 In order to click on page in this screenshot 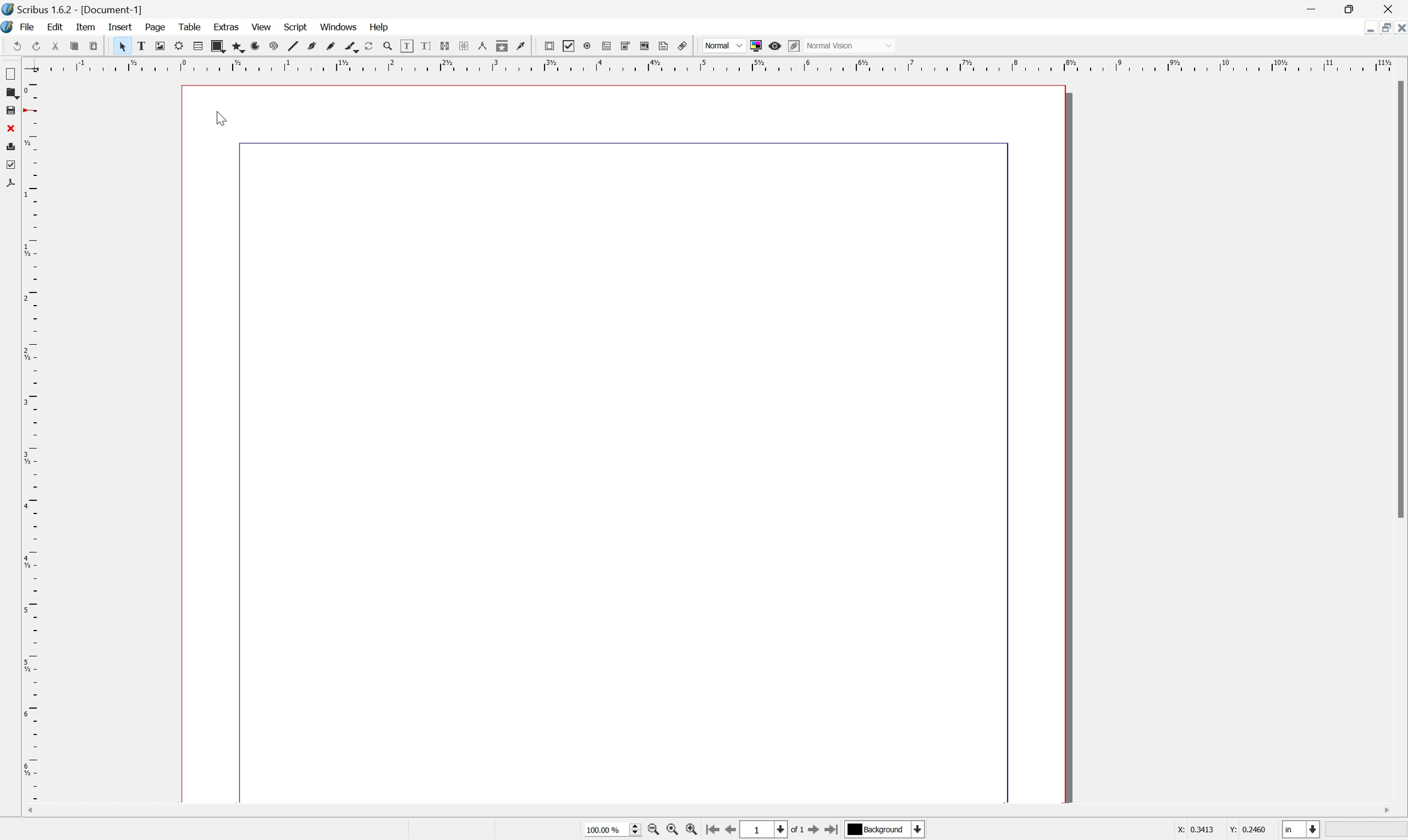, I will do `click(156, 27)`.